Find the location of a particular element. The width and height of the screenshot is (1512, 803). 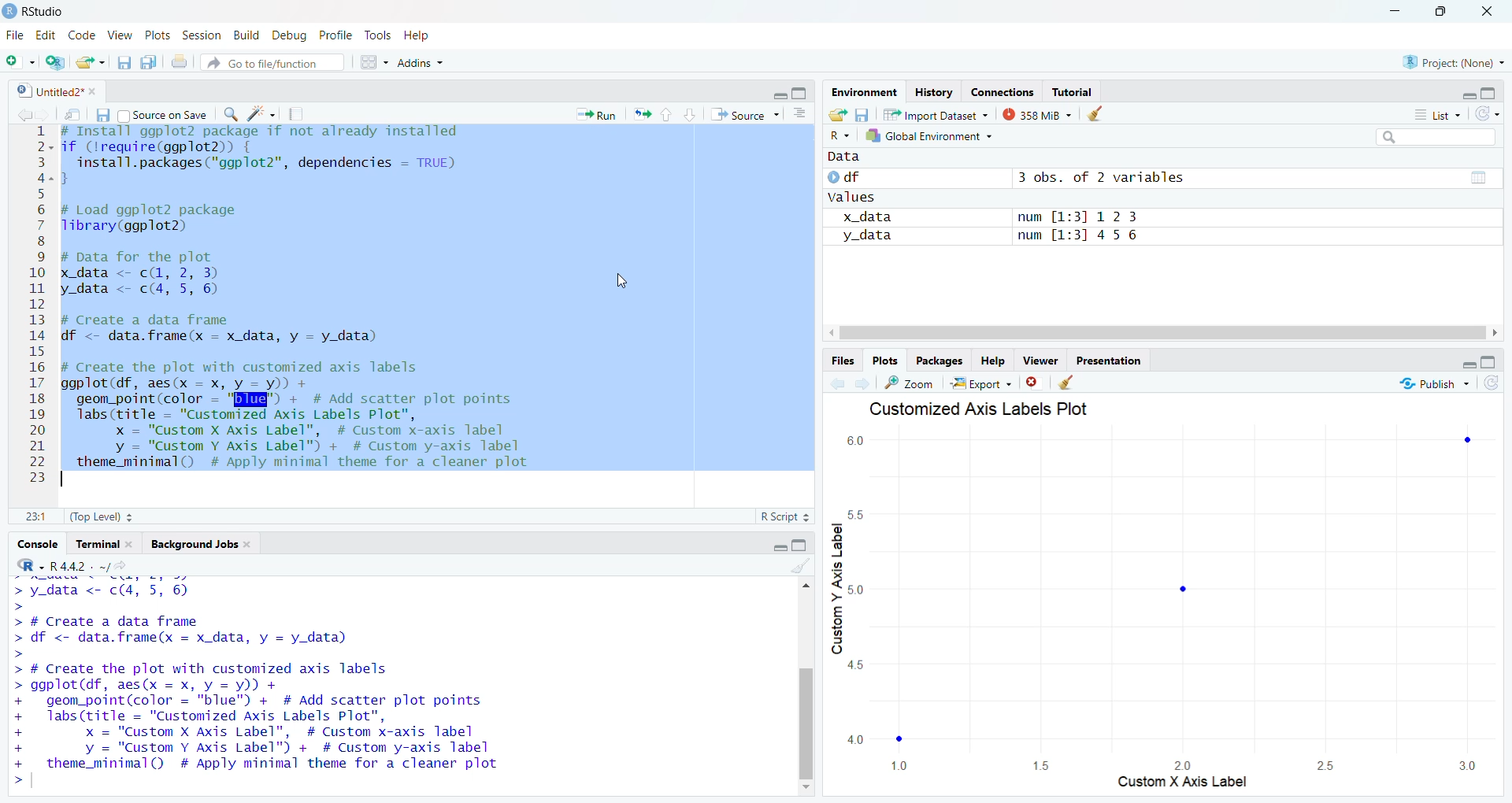

> y_data <- c(4, 5, 6)

>

> # Create a data frame

> df <- data.frame(x = x_data, y = y_data)

>

> # Create the plot with customized axis labels

> ggplot(df, aes(x = x, y =y)) +

+ geom_point(color = "blue" + # Add scatter plot points
+ labs(title = "Customized Axis Labels Plot",

+ x = "Custom X Axis Label", # Custom x-axis label
+ y = "Custom Y Axis Label") + # Custom y-axis label
+  theme_minimal() # Apply minimal theme for a cleaner plot
>| is located at coordinates (301, 686).